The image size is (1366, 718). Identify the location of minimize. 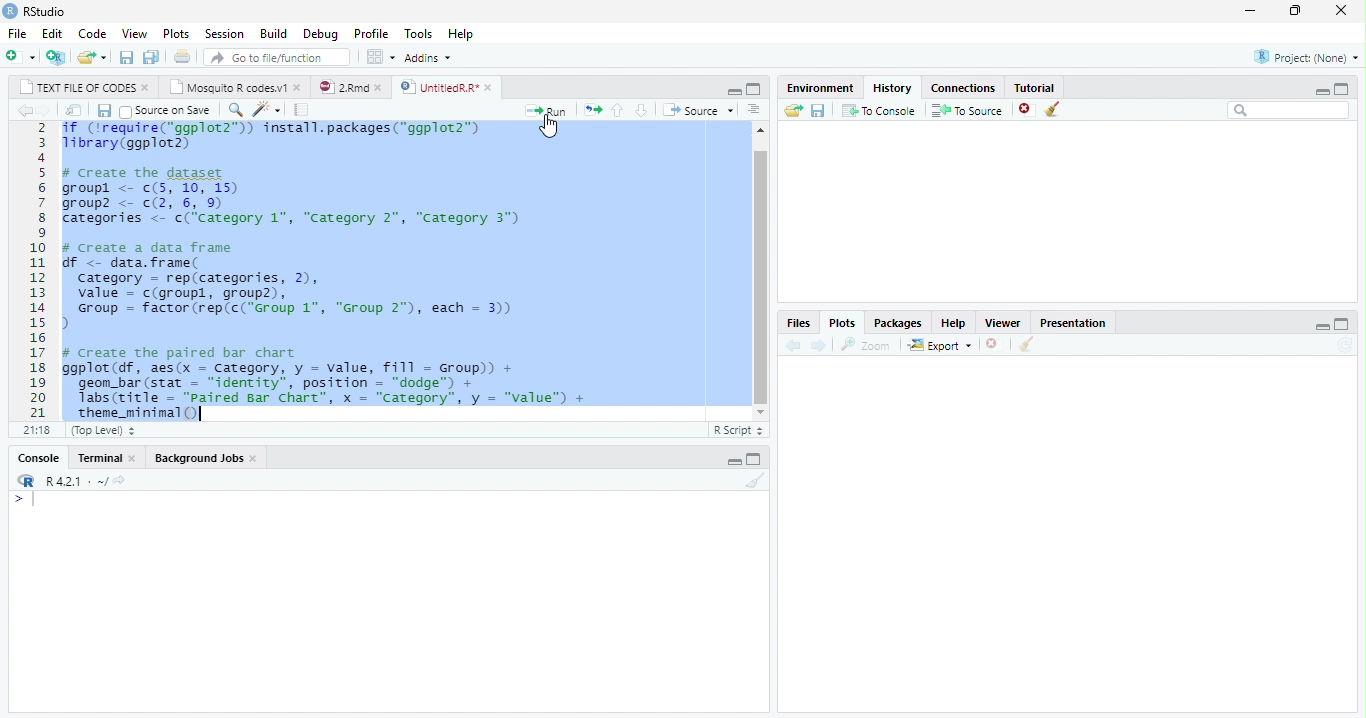
(733, 90).